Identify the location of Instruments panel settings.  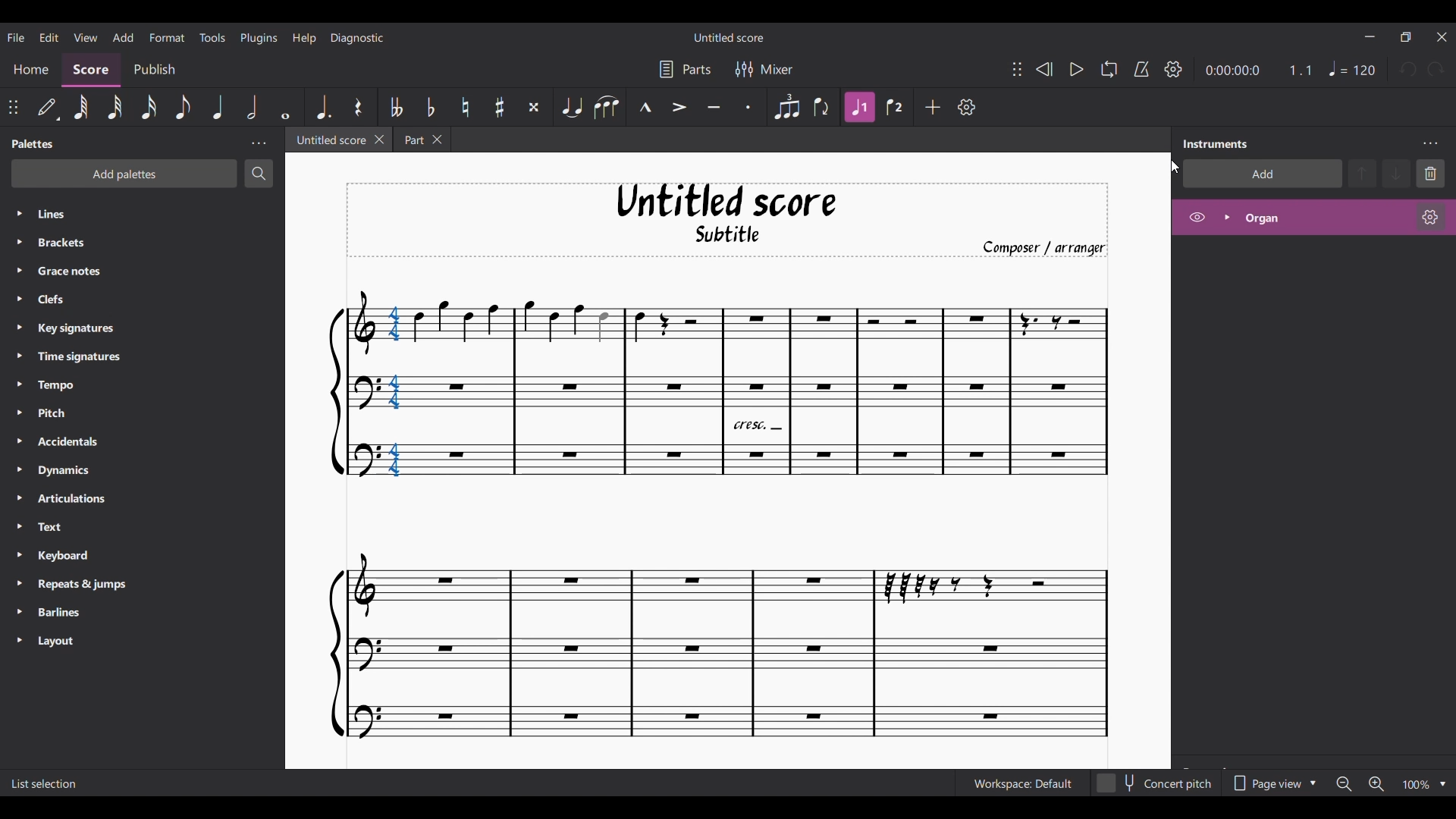
(1430, 144).